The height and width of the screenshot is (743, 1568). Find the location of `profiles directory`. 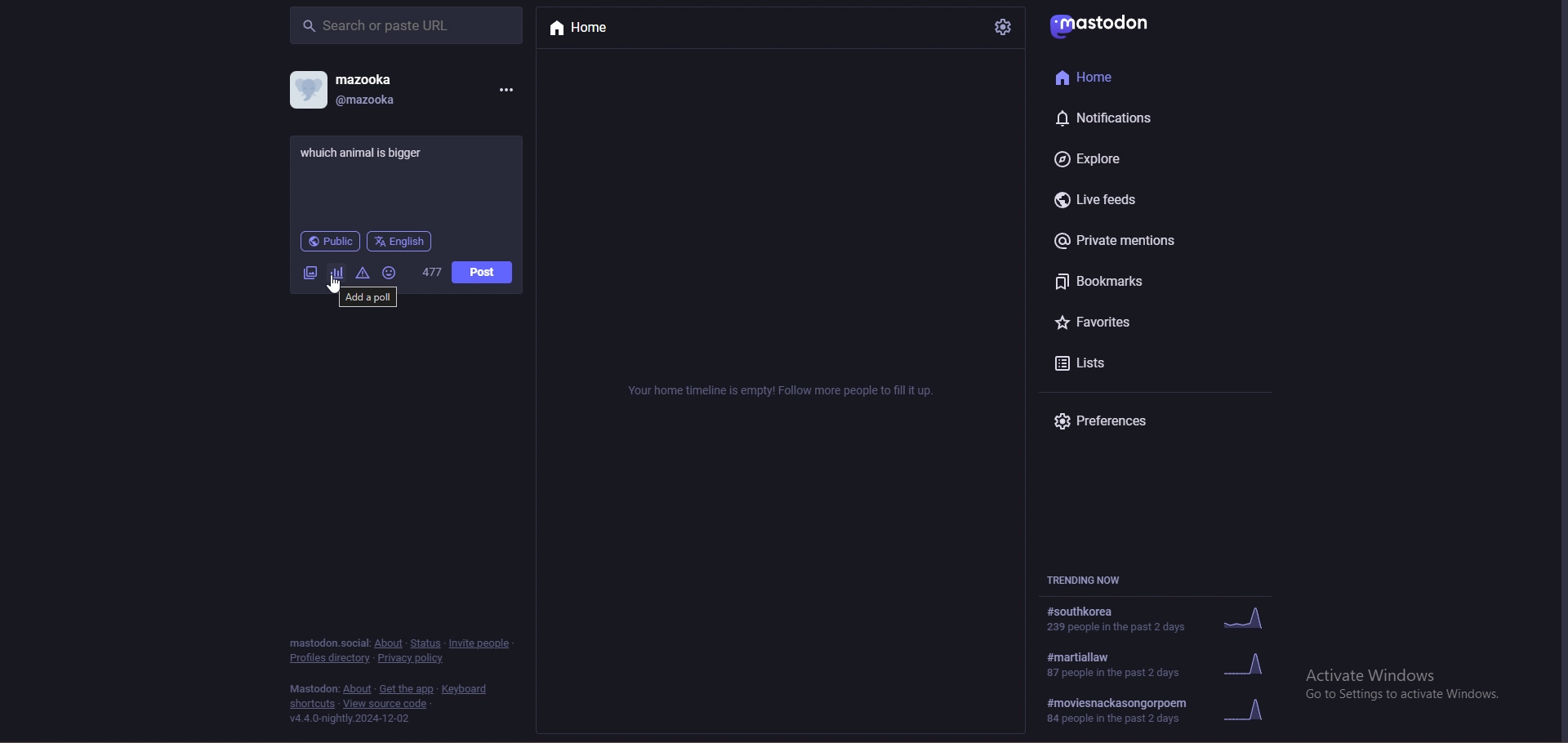

profiles directory is located at coordinates (329, 659).